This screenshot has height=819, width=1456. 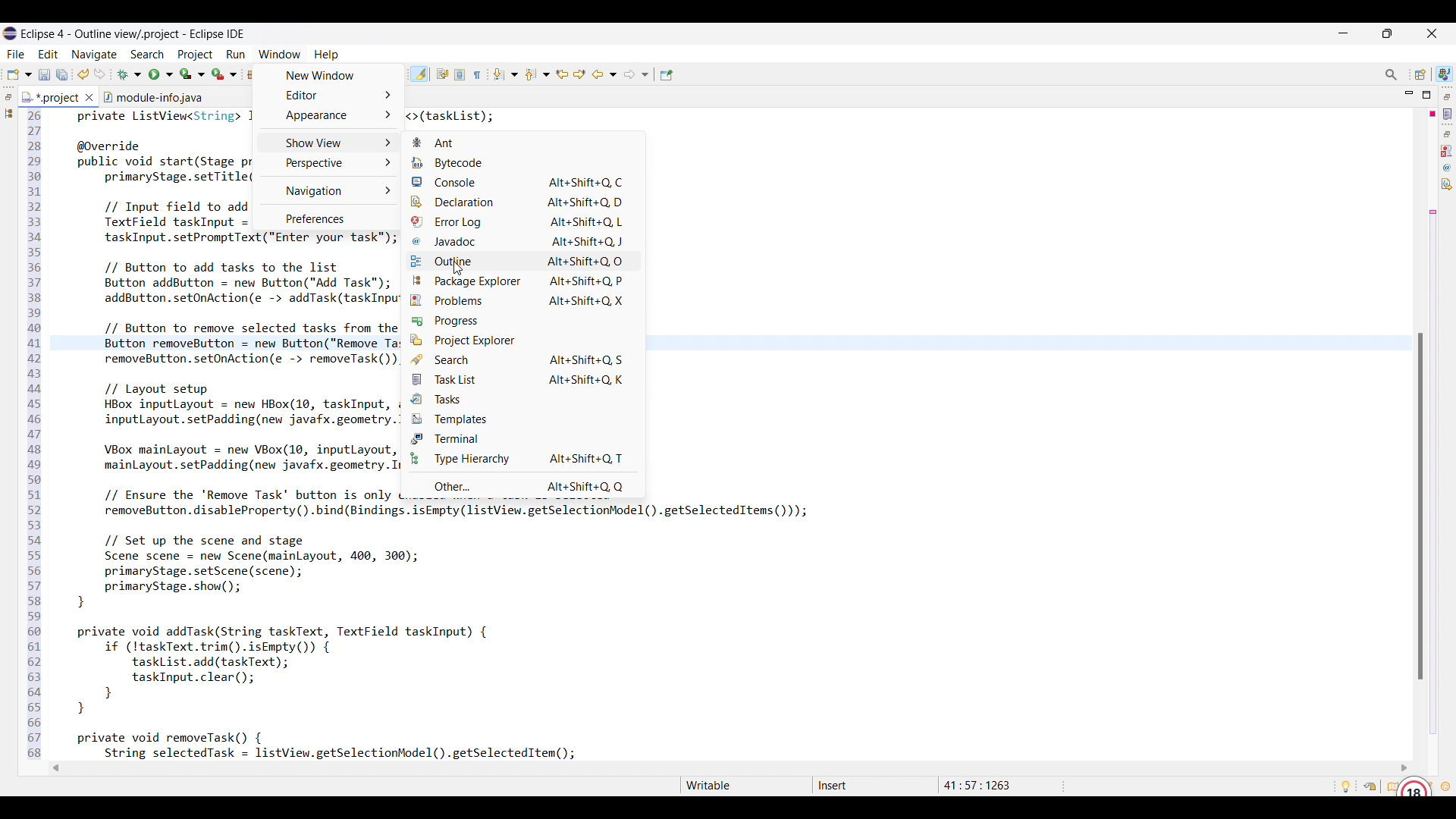 What do you see at coordinates (1420, 506) in the screenshot?
I see `Vertical slide bar` at bounding box center [1420, 506].